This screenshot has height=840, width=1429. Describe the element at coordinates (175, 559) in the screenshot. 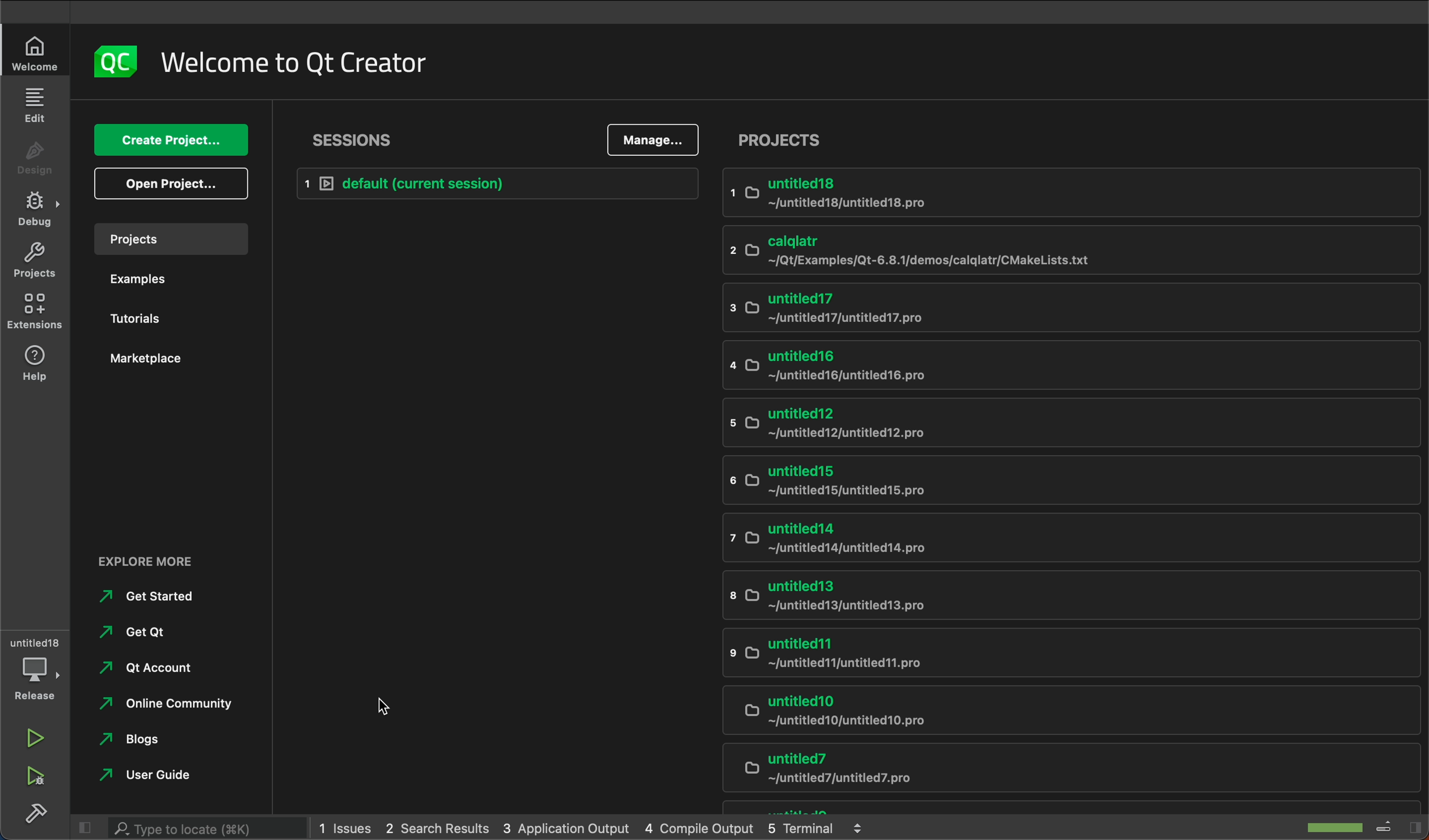

I see `explore more` at that location.